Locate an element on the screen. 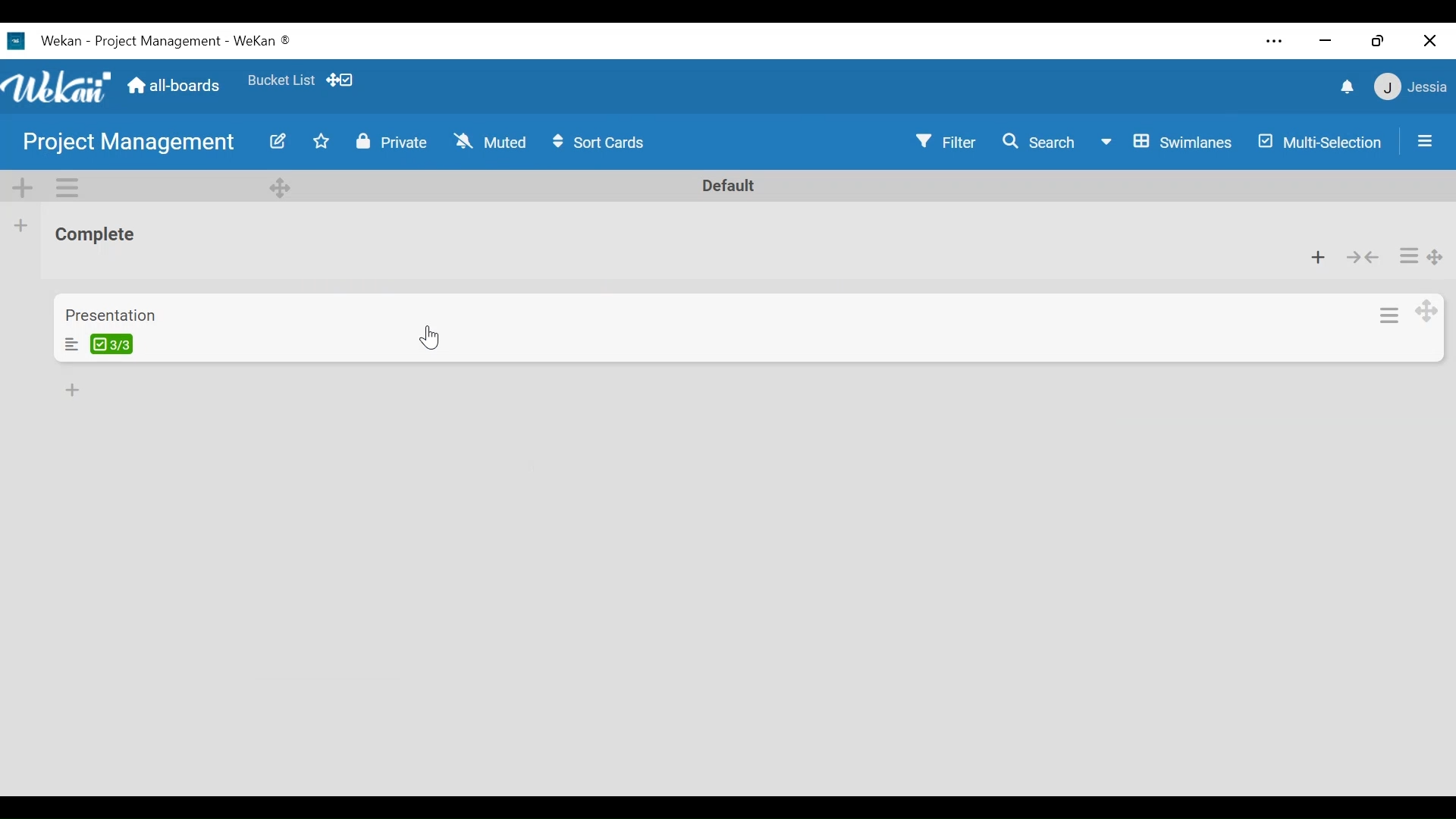 This screenshot has width=1456, height=819. Add List is located at coordinates (21, 225).